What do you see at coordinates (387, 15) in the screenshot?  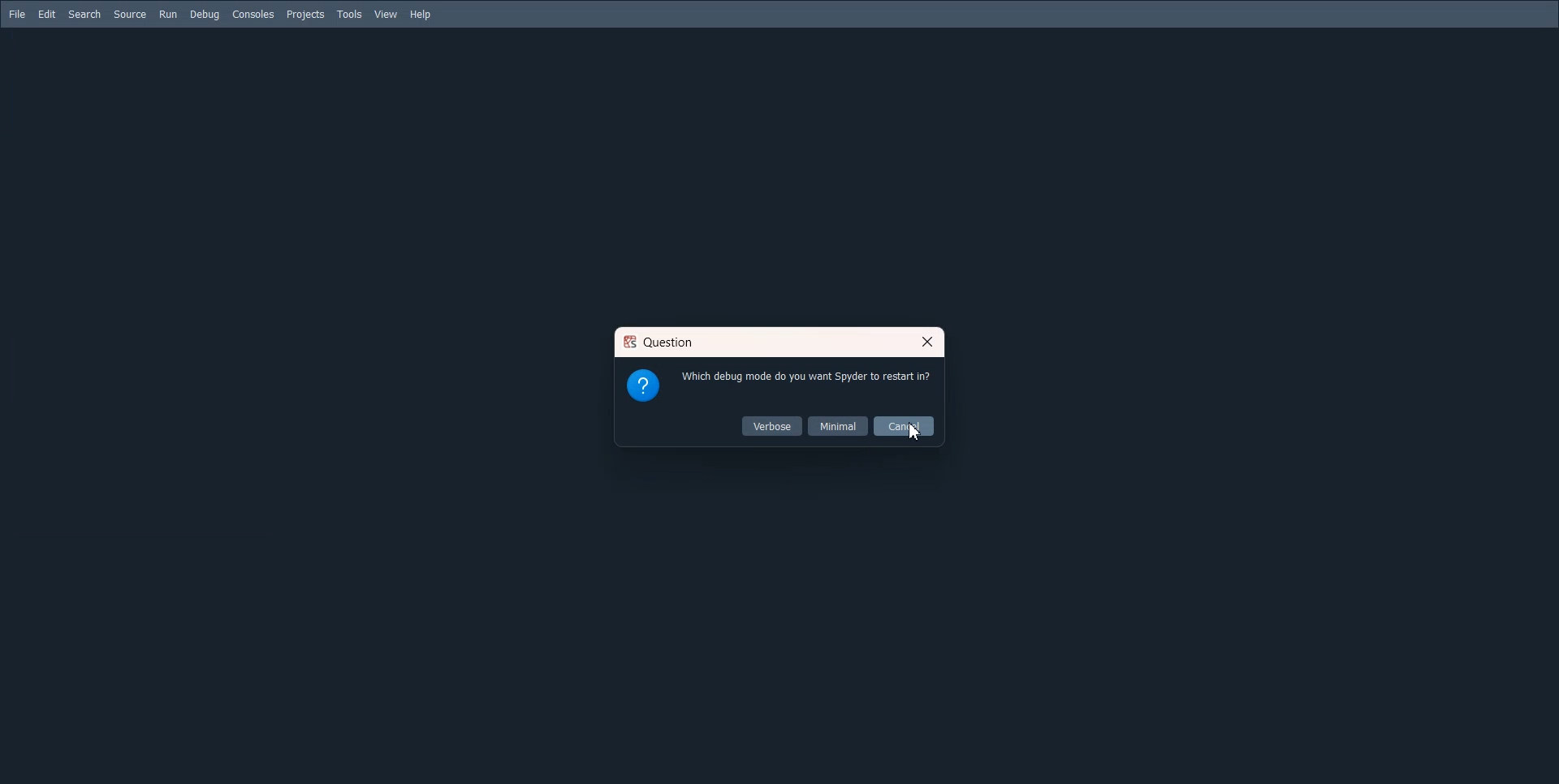 I see `View` at bounding box center [387, 15].